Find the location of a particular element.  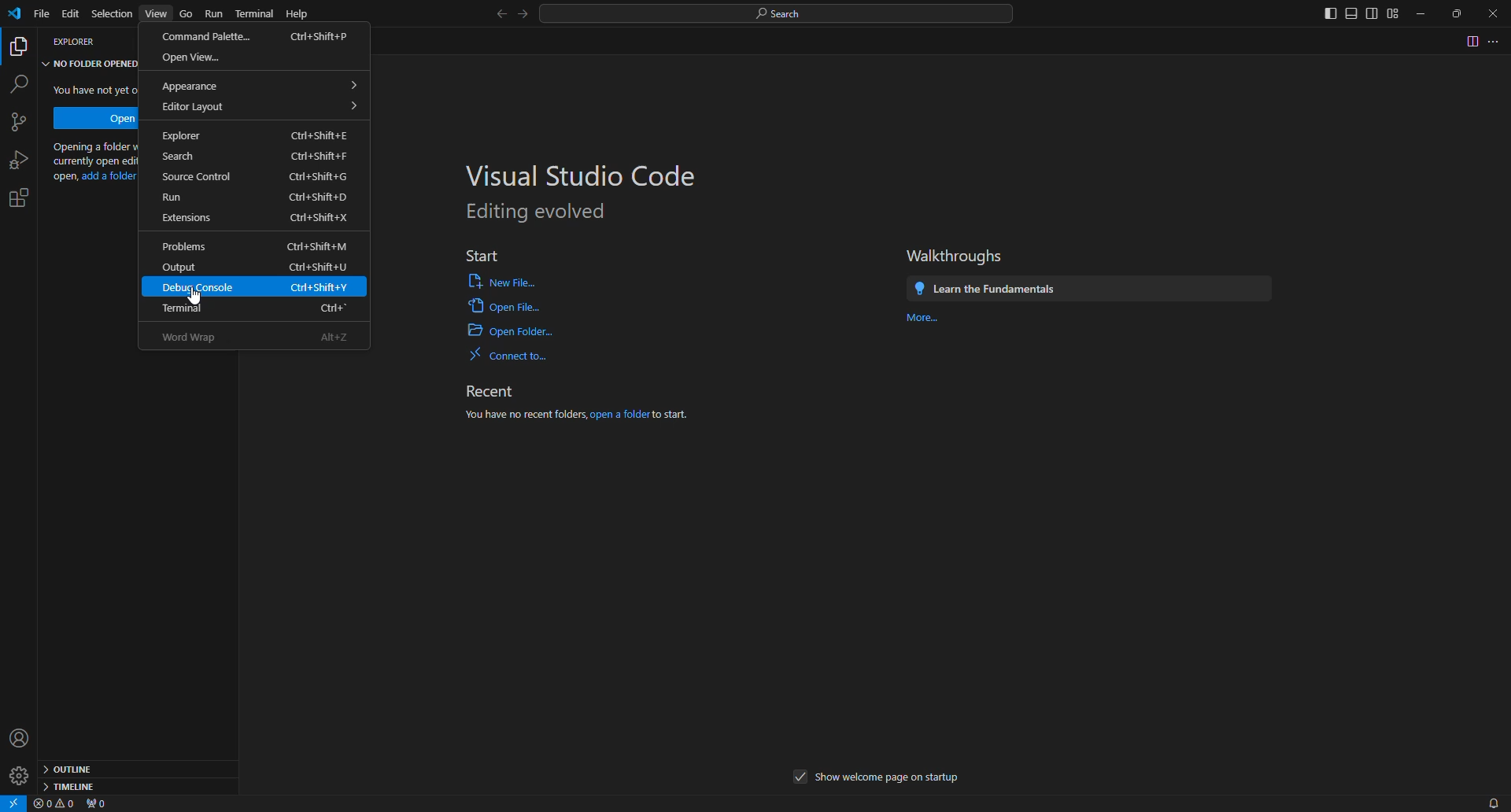

cursor is located at coordinates (205, 299).